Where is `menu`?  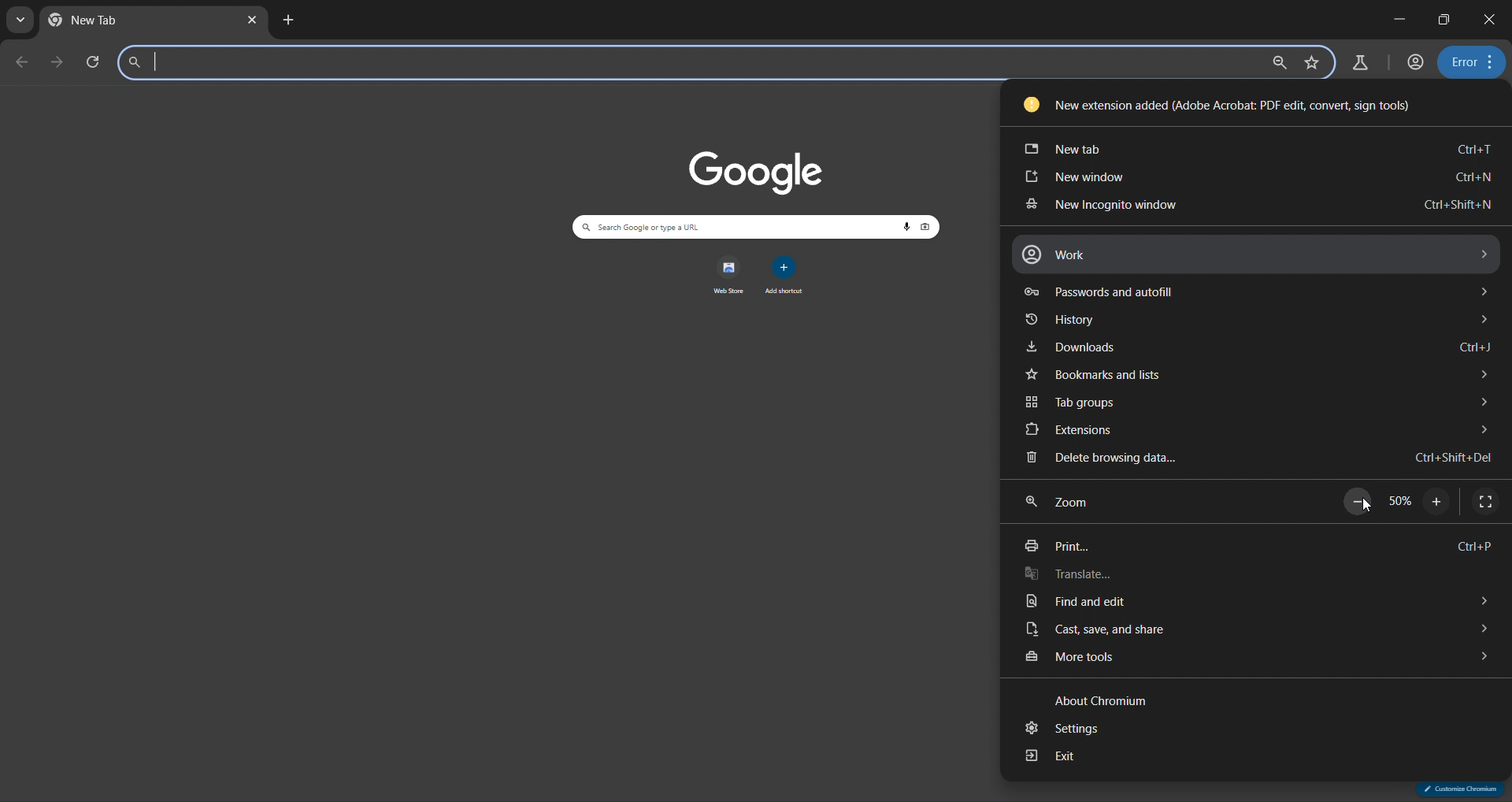
menu is located at coordinates (1473, 62).